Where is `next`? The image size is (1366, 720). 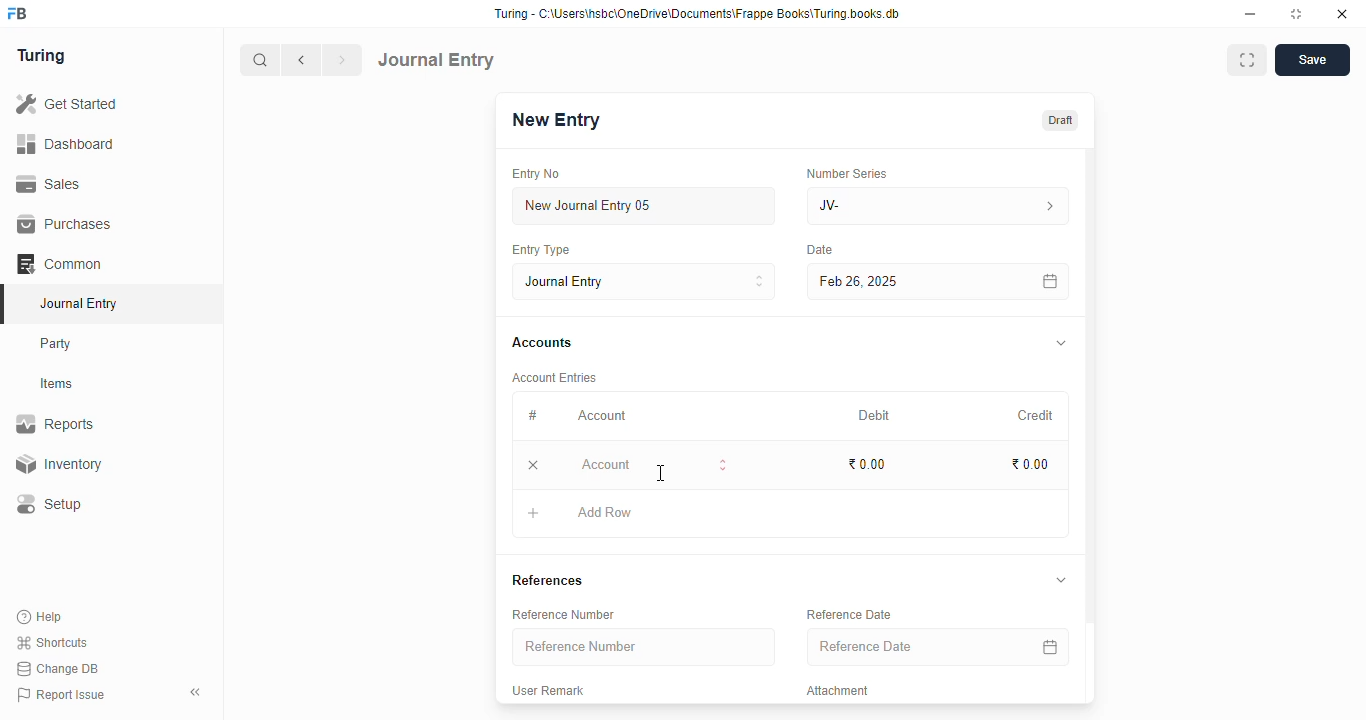
next is located at coordinates (344, 60).